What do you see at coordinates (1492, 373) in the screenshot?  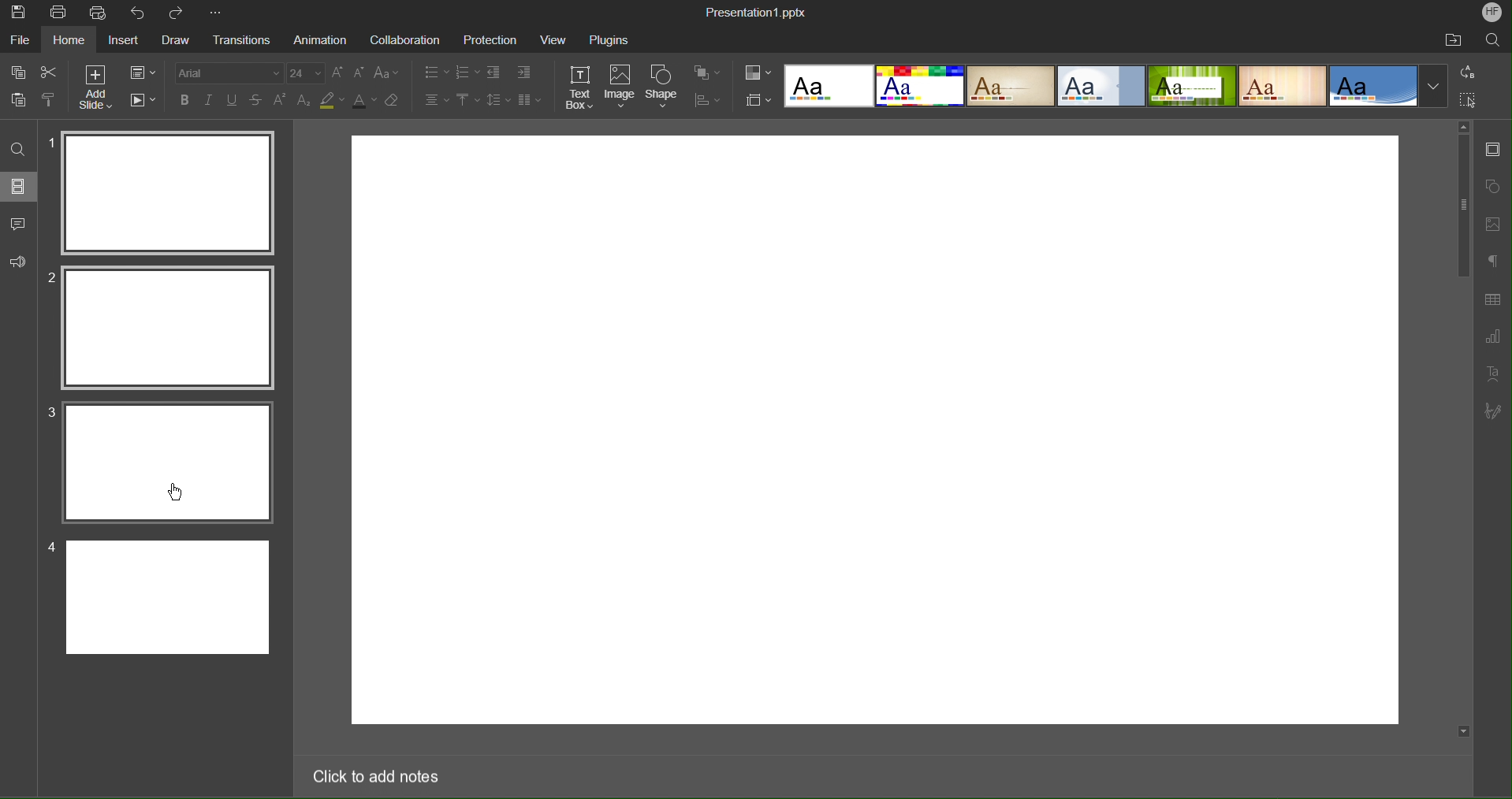 I see `Text Art` at bounding box center [1492, 373].